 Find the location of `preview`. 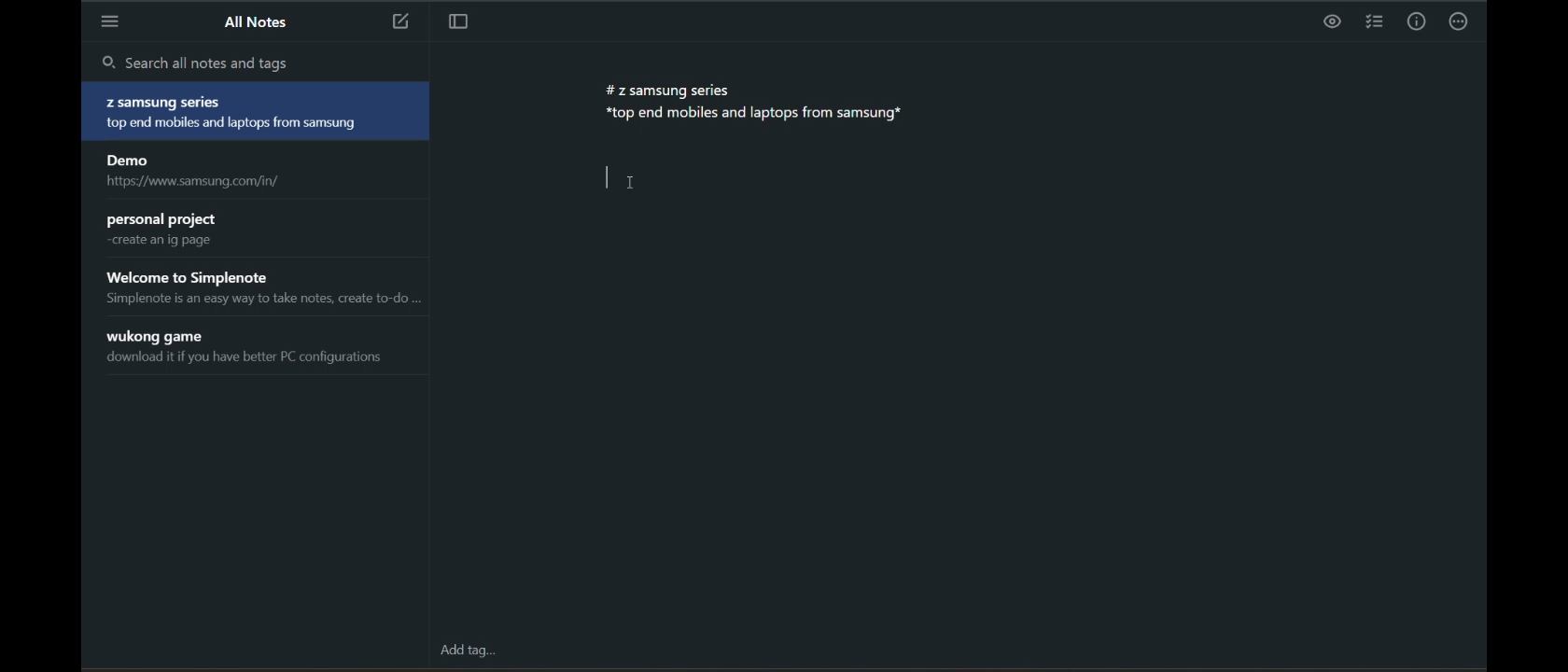

preview is located at coordinates (1331, 21).